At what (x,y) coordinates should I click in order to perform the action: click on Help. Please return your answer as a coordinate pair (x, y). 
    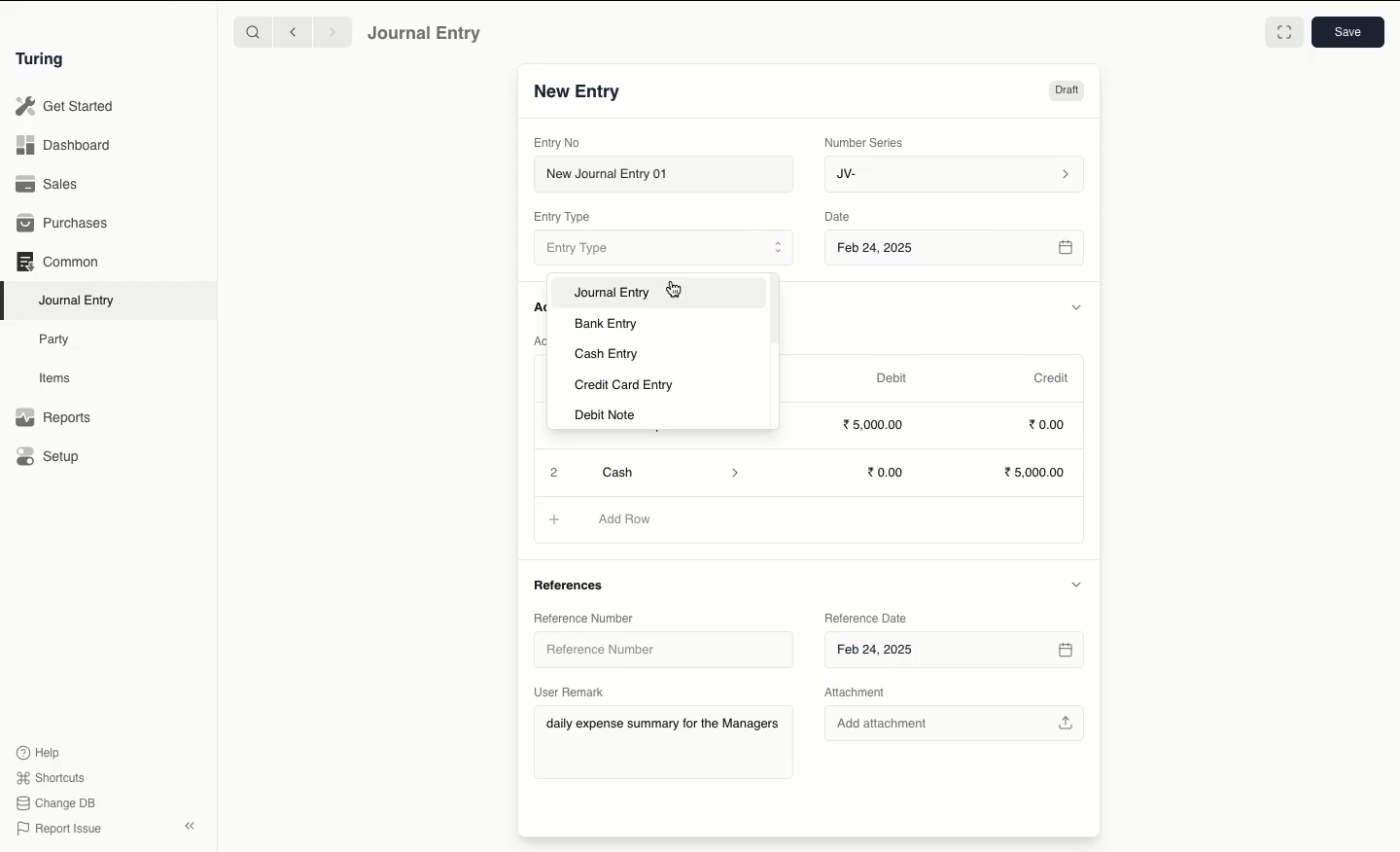
    Looking at the image, I should click on (39, 753).